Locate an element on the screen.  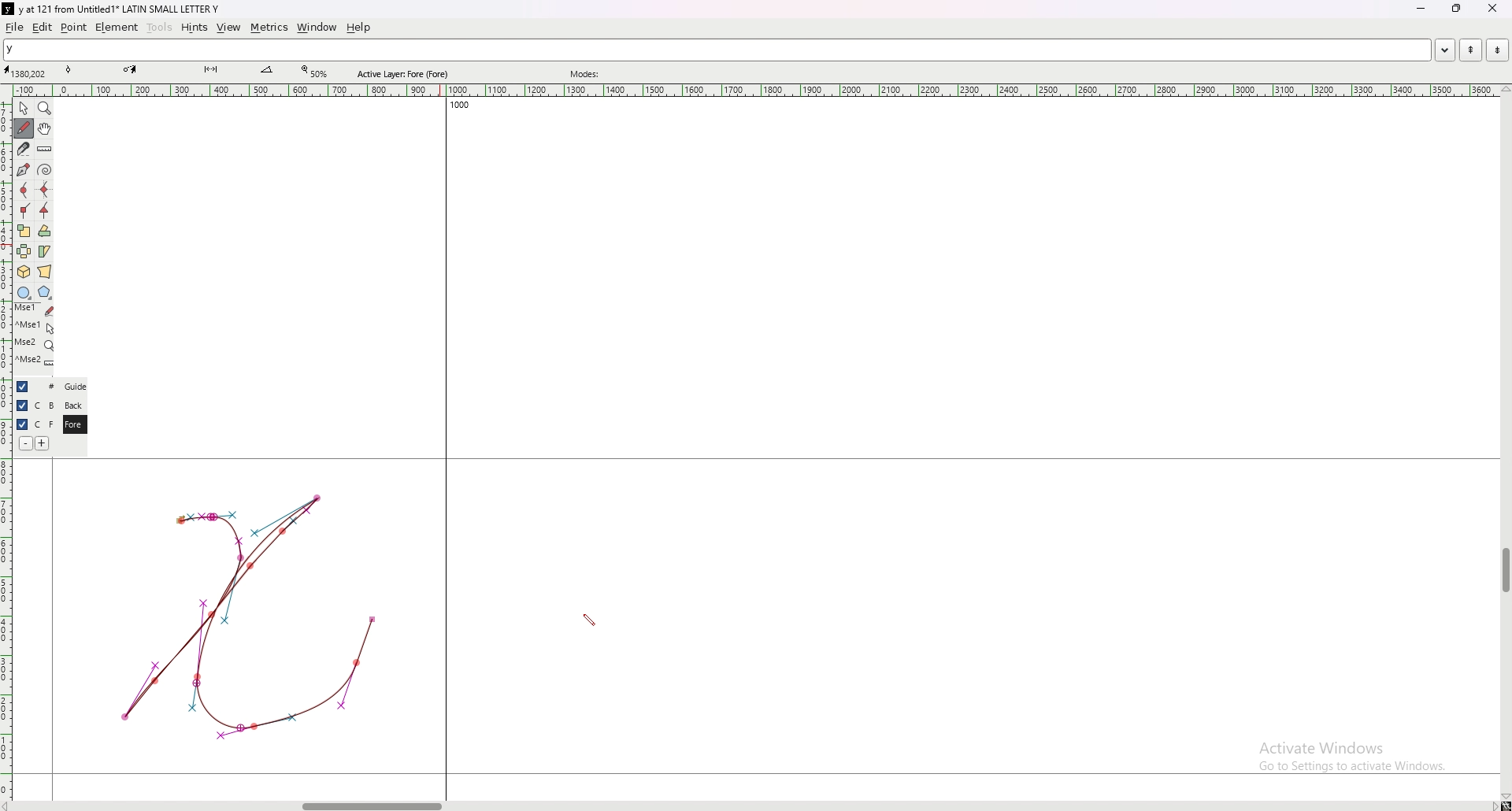
hide layer is located at coordinates (22, 405).